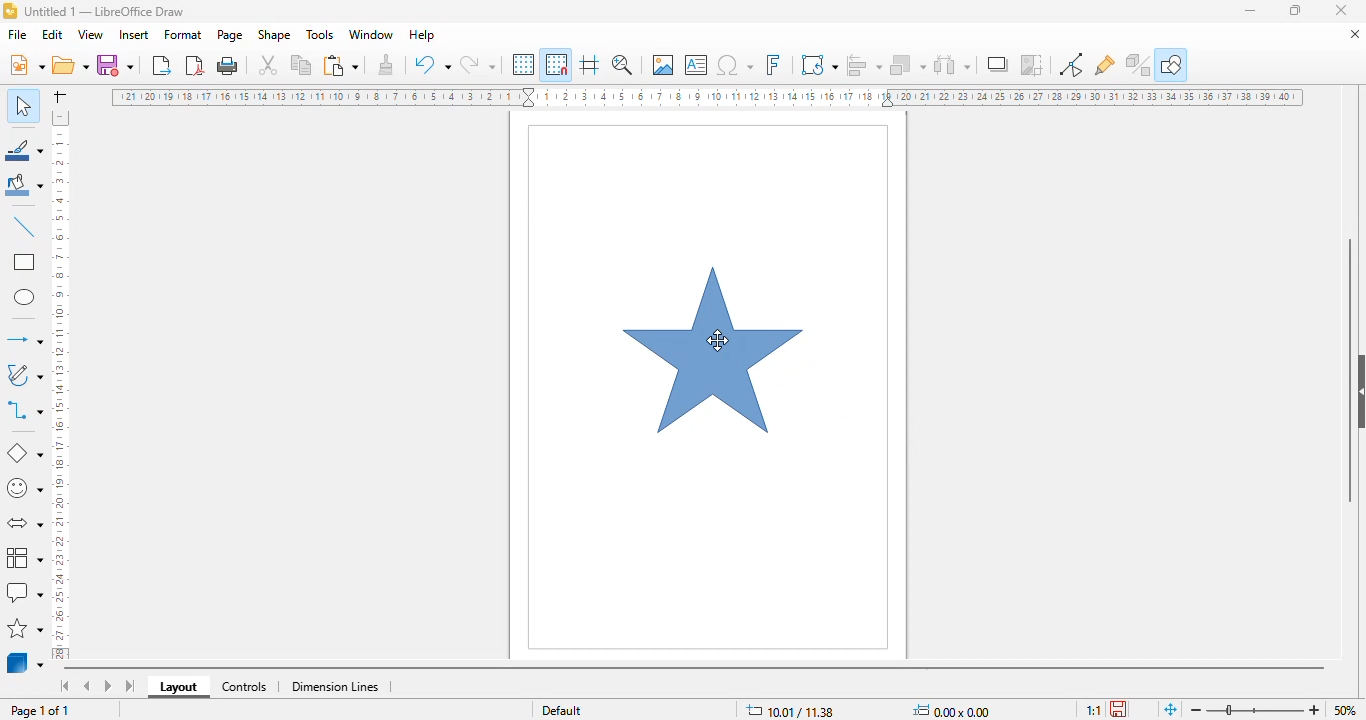  Describe the element at coordinates (524, 64) in the screenshot. I see `display grid` at that location.